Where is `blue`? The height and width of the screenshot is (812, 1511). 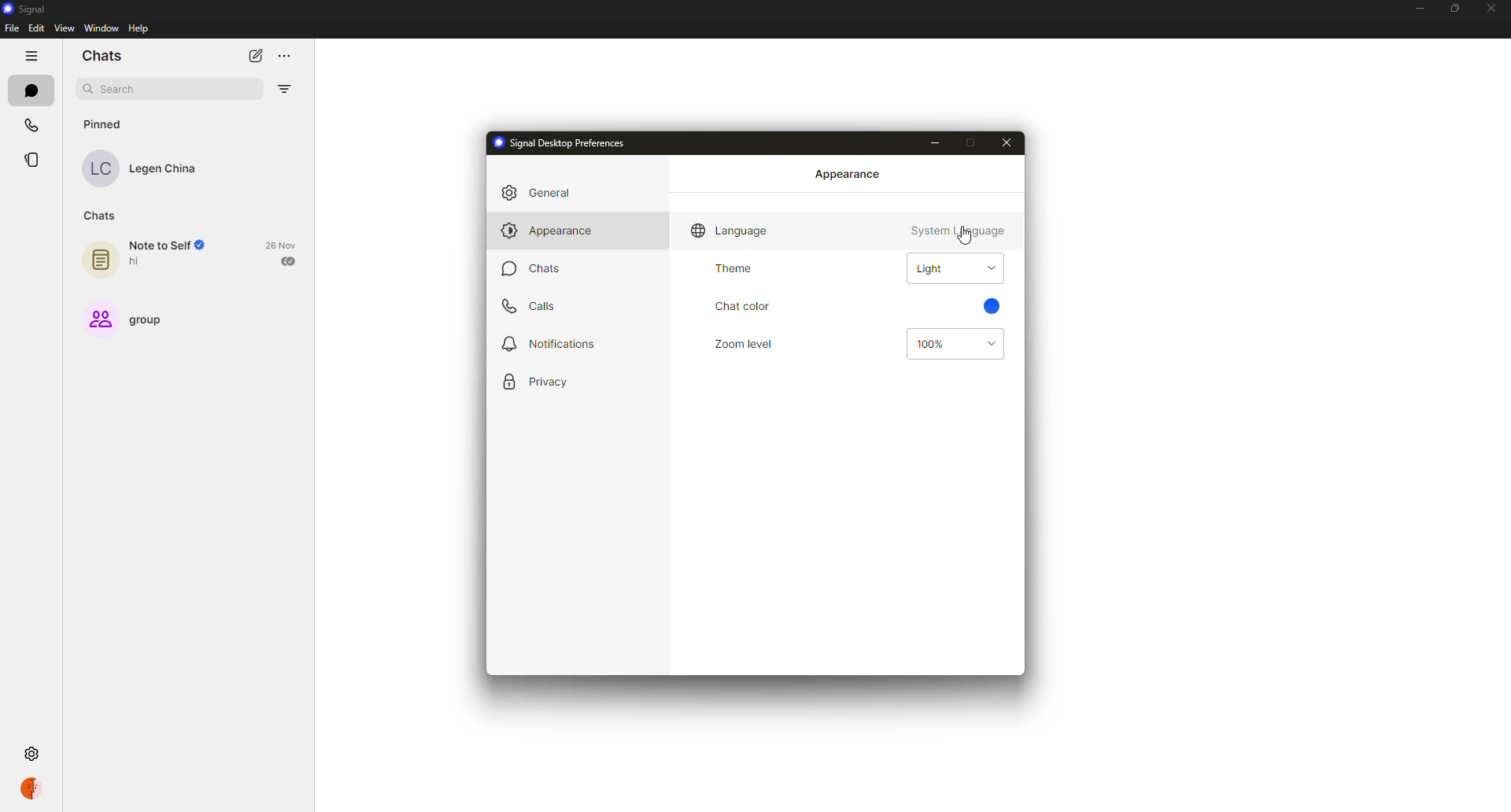
blue is located at coordinates (991, 305).